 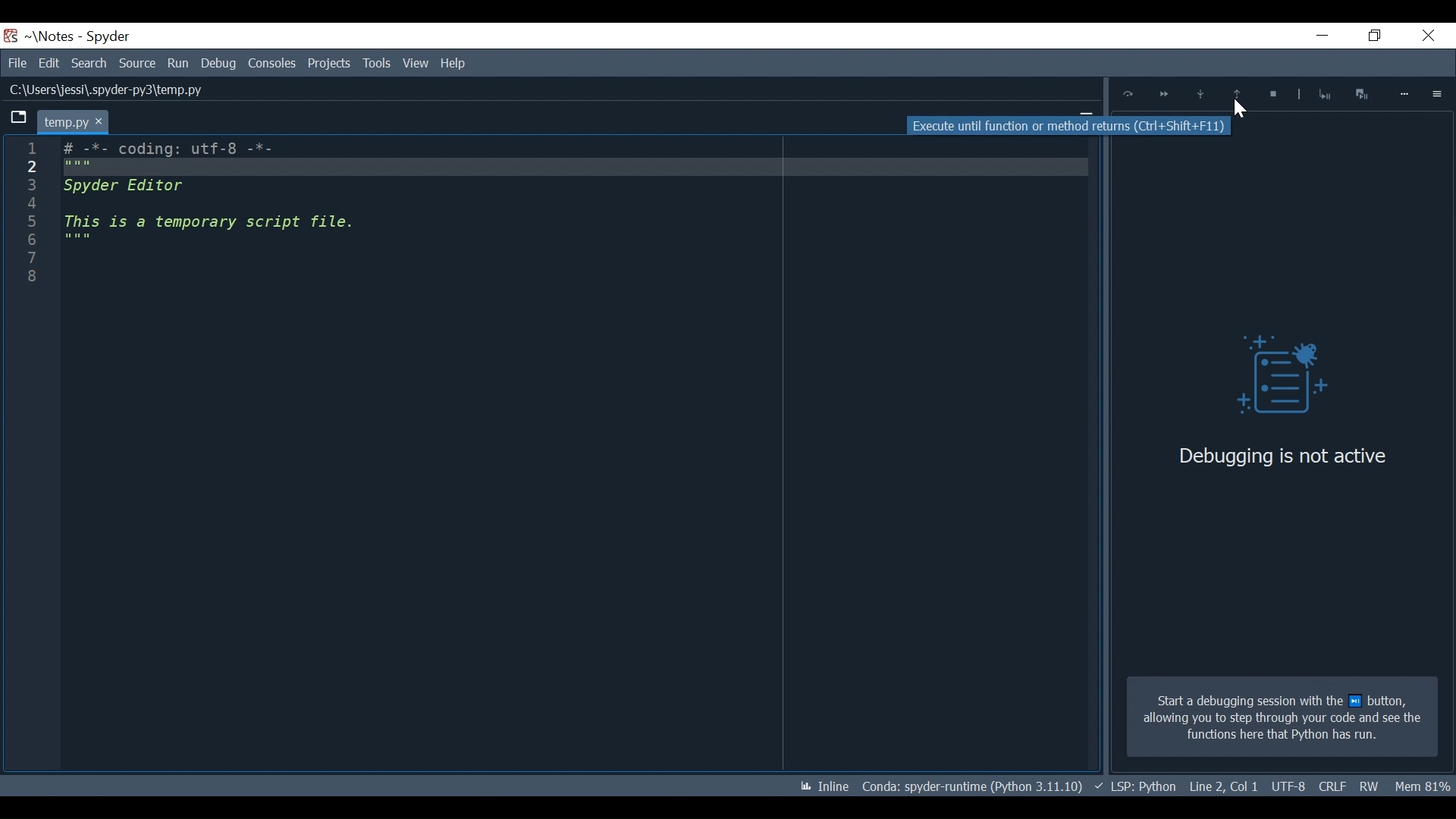 What do you see at coordinates (138, 64) in the screenshot?
I see `Source` at bounding box center [138, 64].